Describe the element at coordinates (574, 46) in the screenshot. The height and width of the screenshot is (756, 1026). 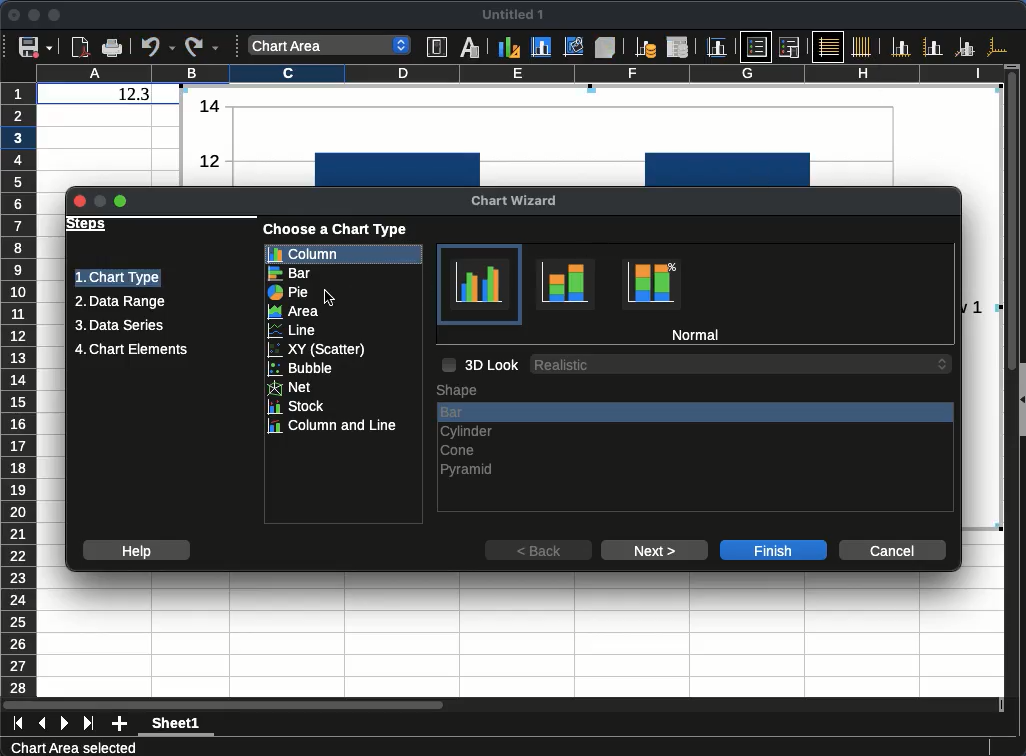
I see `Chart wall` at that location.